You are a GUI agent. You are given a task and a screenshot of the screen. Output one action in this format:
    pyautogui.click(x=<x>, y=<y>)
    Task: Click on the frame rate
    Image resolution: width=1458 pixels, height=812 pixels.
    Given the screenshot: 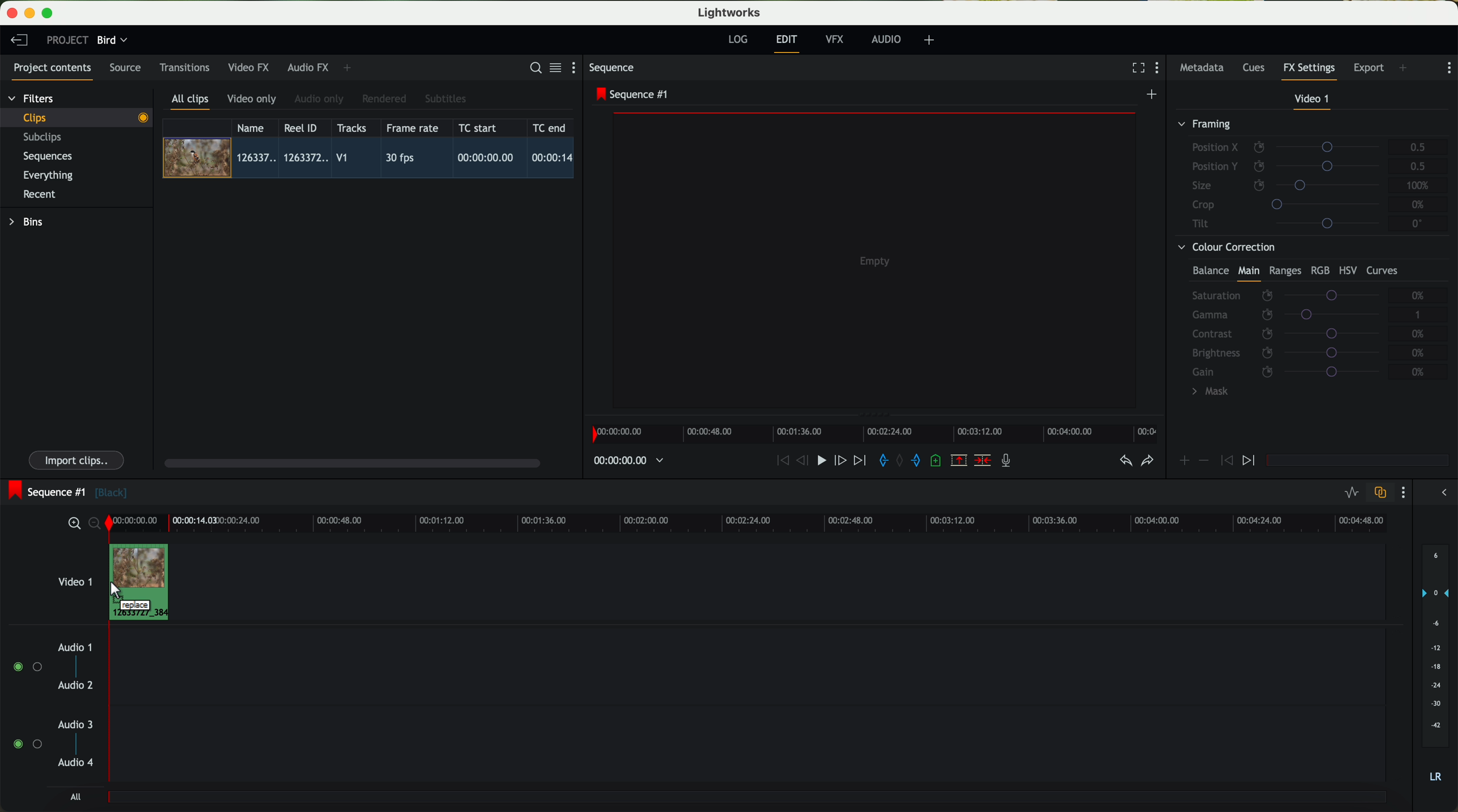 What is the action you would take?
    pyautogui.click(x=413, y=128)
    